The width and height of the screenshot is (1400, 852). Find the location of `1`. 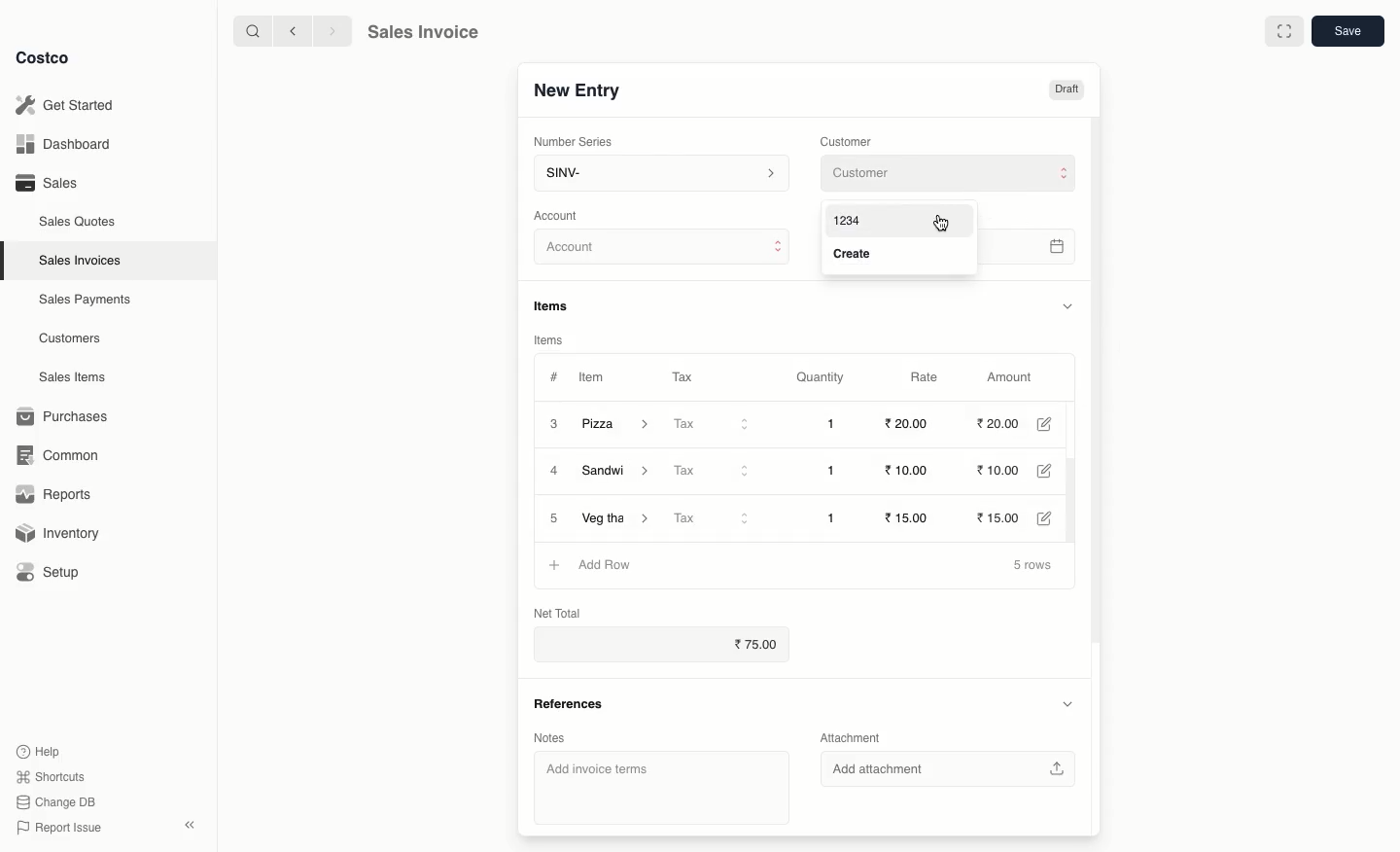

1 is located at coordinates (836, 424).